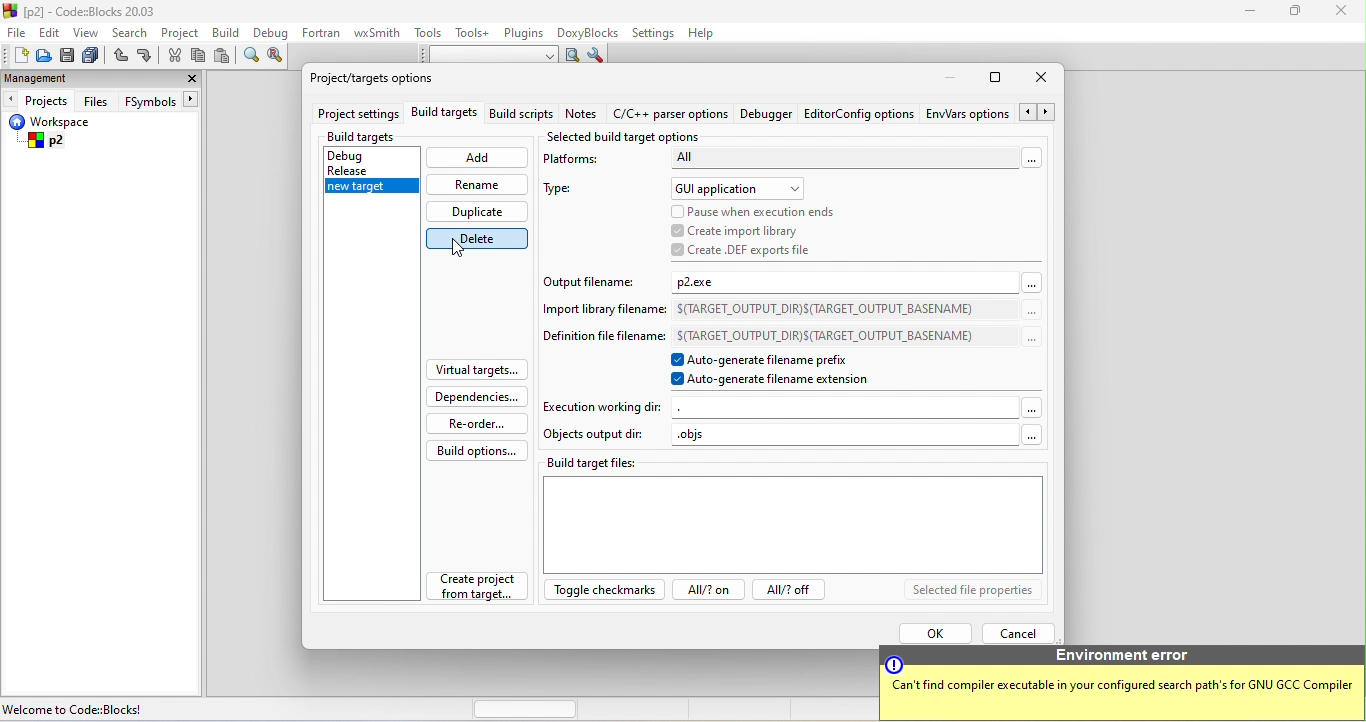 This screenshot has height=722, width=1366. Describe the element at coordinates (189, 78) in the screenshot. I see `close` at that location.